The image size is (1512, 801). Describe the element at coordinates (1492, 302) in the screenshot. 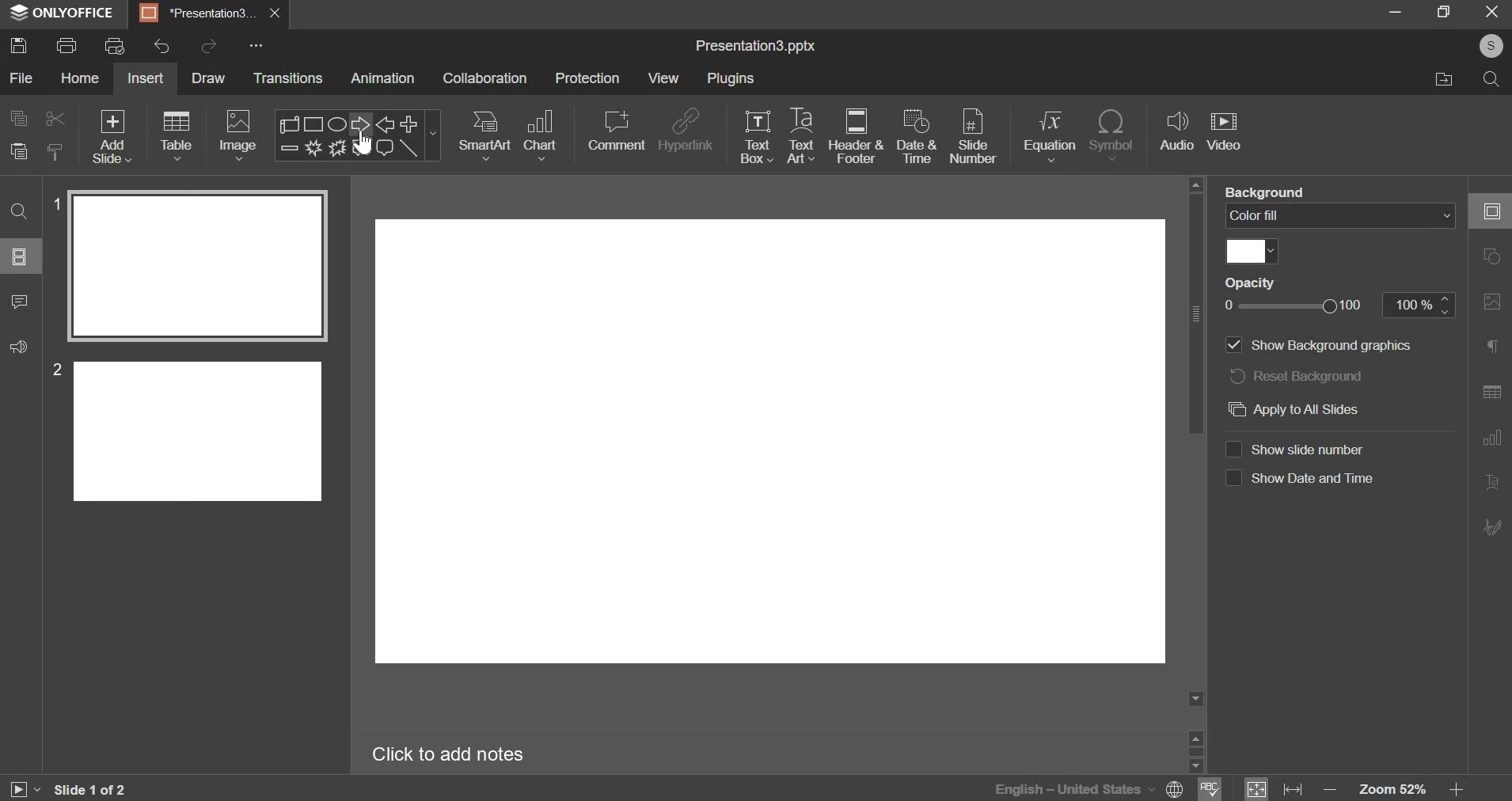

I see `Image settings` at that location.